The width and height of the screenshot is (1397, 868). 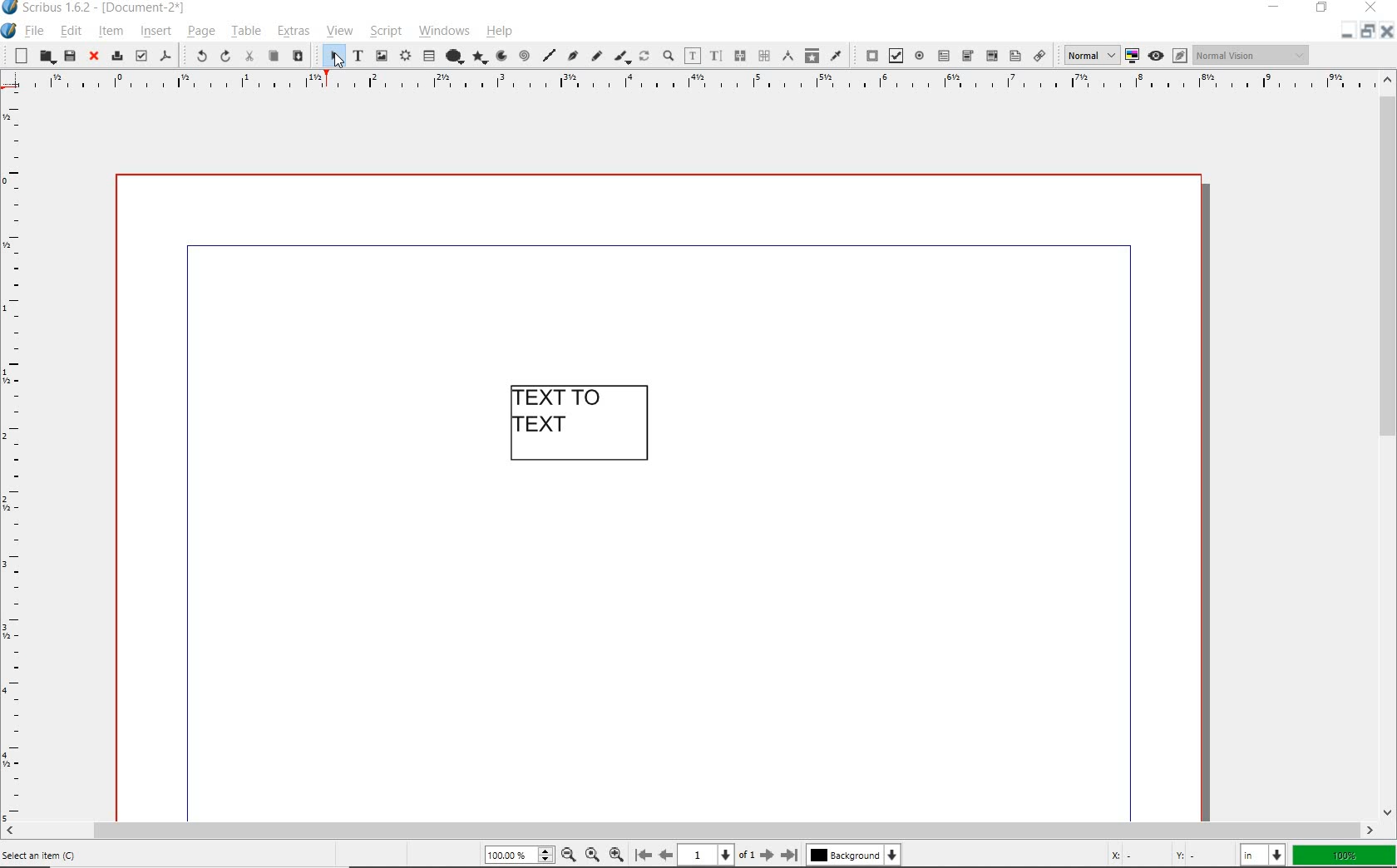 I want to click on rotate item, so click(x=643, y=57).